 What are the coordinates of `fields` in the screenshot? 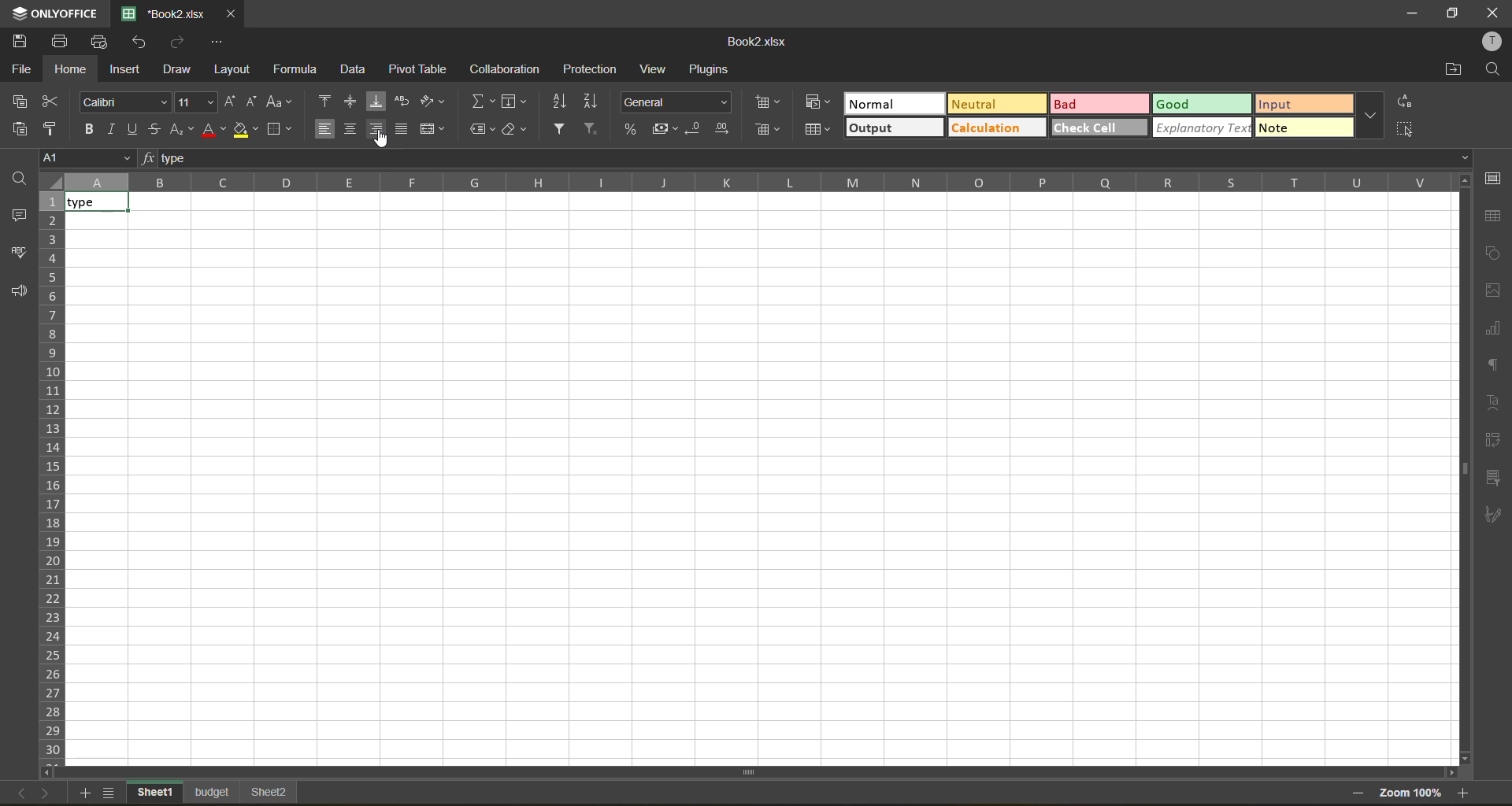 It's located at (515, 102).